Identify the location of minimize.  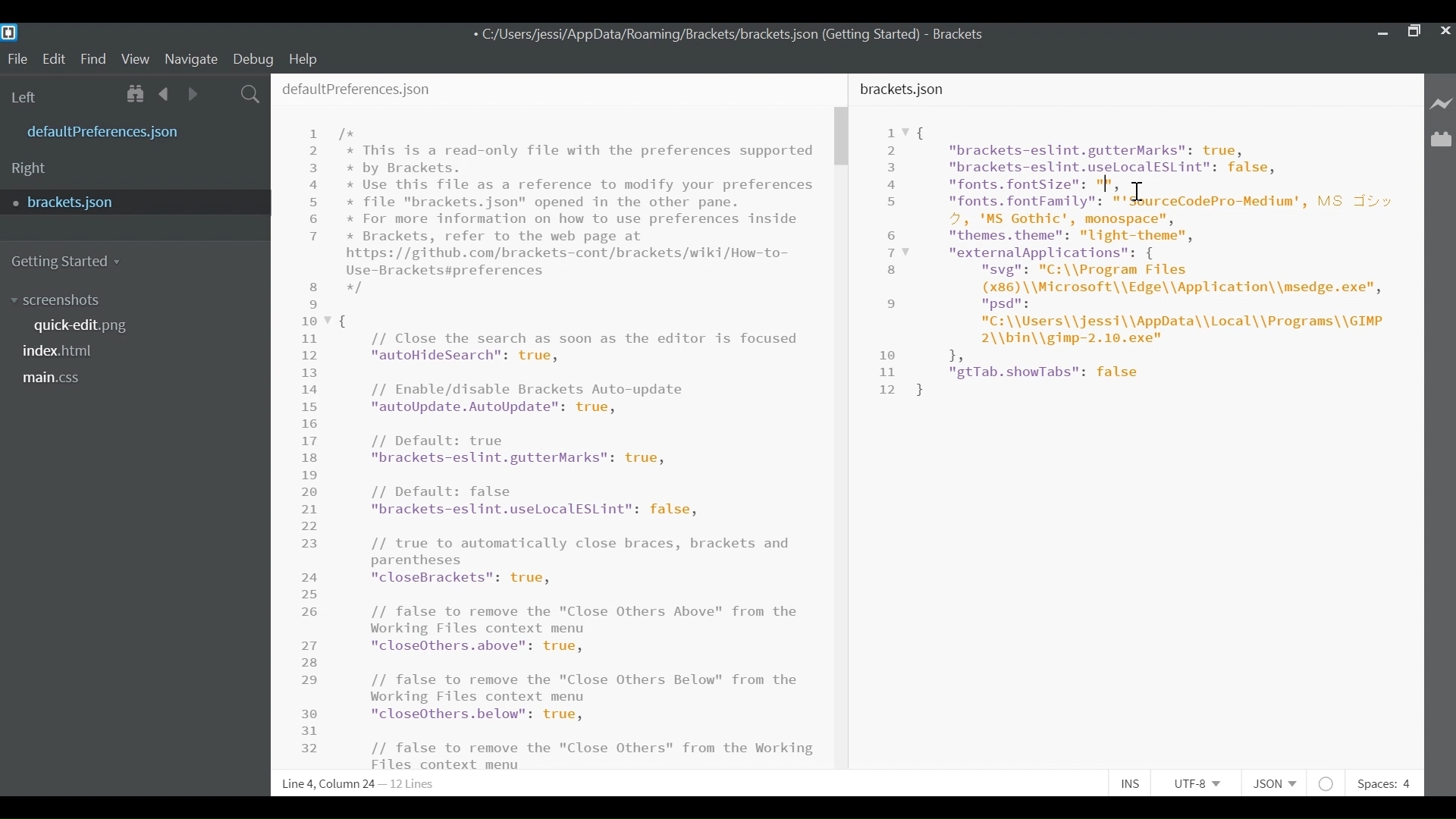
(1381, 32).